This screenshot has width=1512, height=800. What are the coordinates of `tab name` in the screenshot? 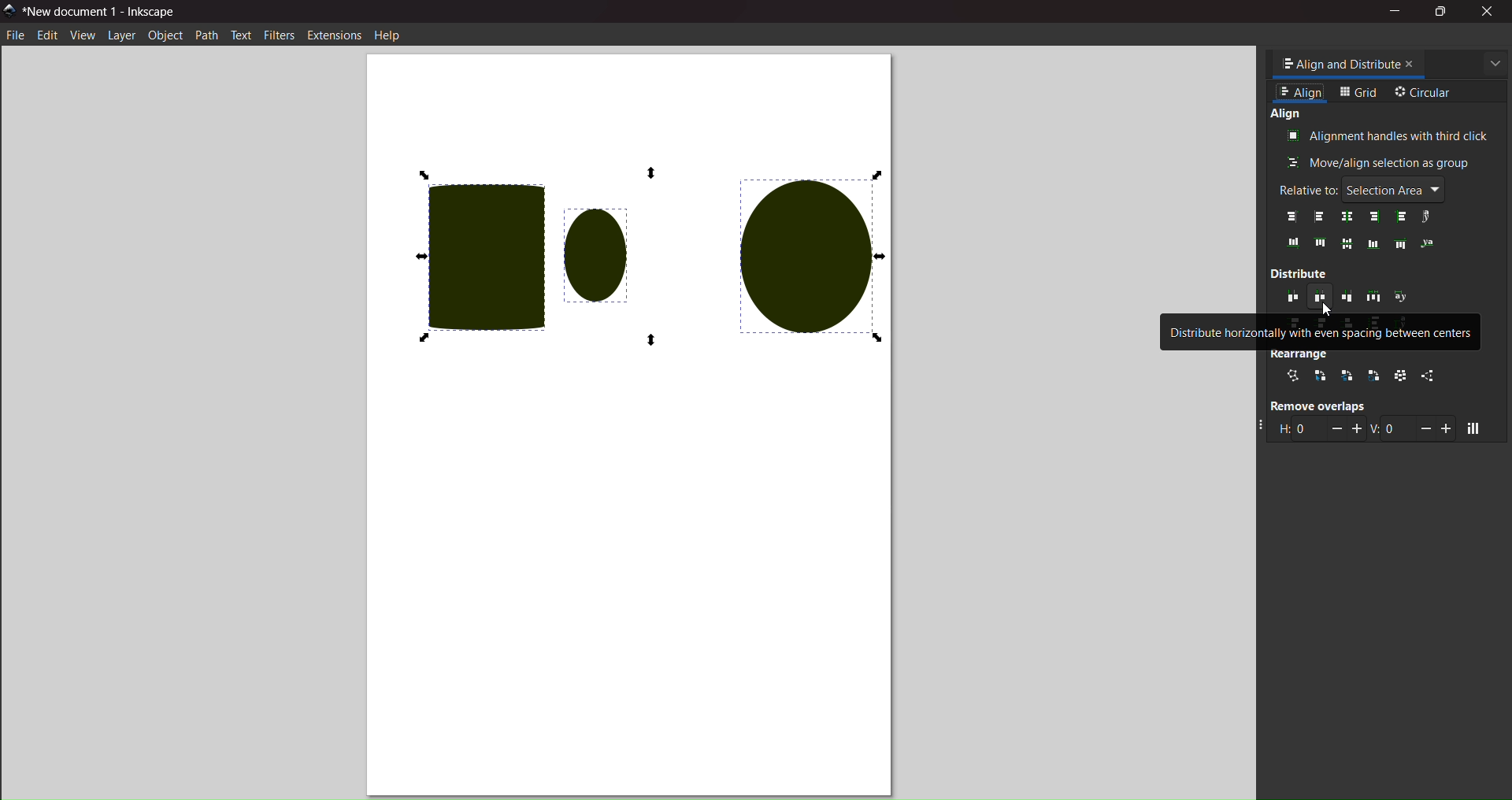 It's located at (1339, 61).